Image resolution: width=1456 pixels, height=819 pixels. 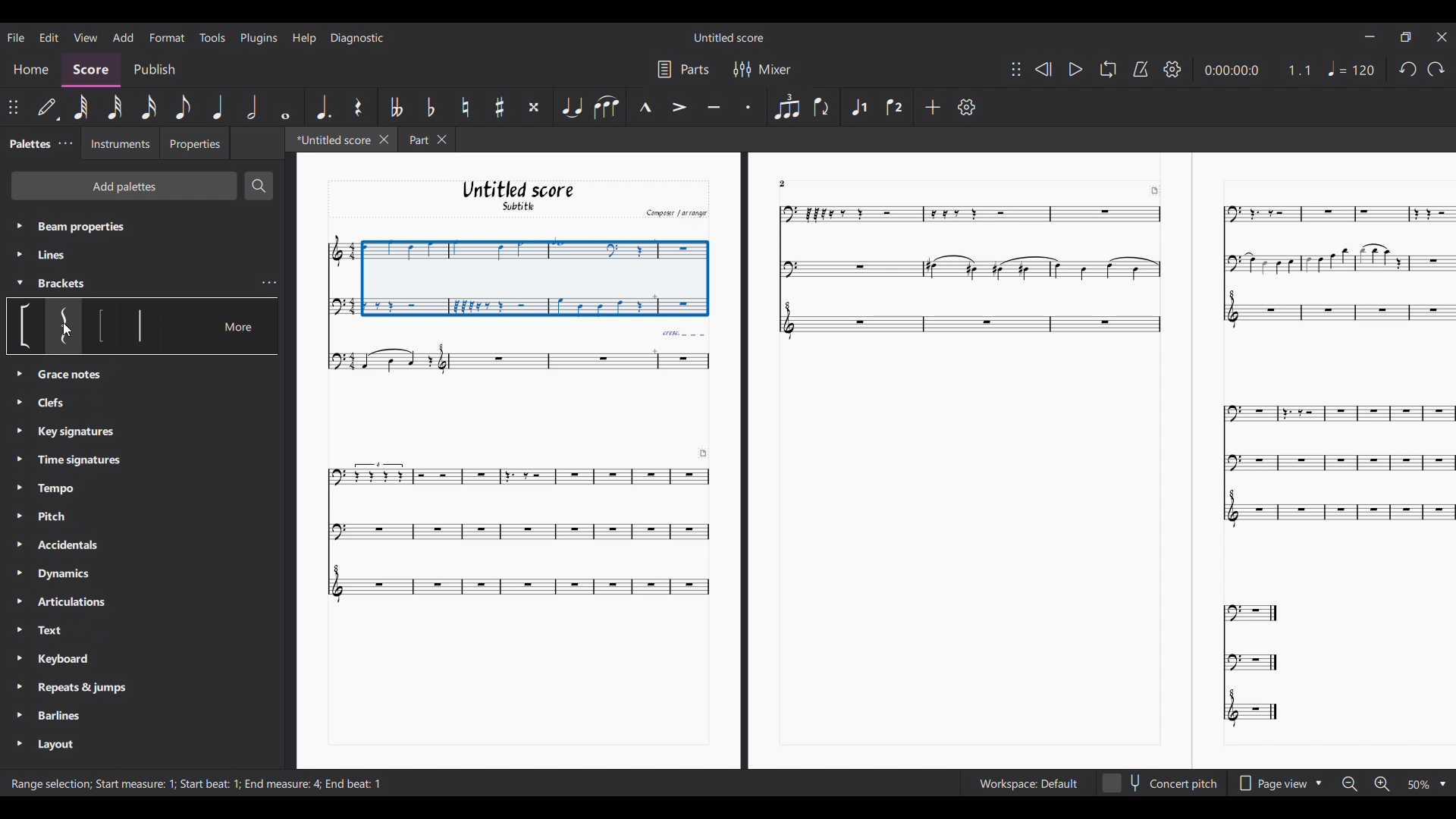 I want to click on Repeats & Jumps, so click(x=82, y=687).